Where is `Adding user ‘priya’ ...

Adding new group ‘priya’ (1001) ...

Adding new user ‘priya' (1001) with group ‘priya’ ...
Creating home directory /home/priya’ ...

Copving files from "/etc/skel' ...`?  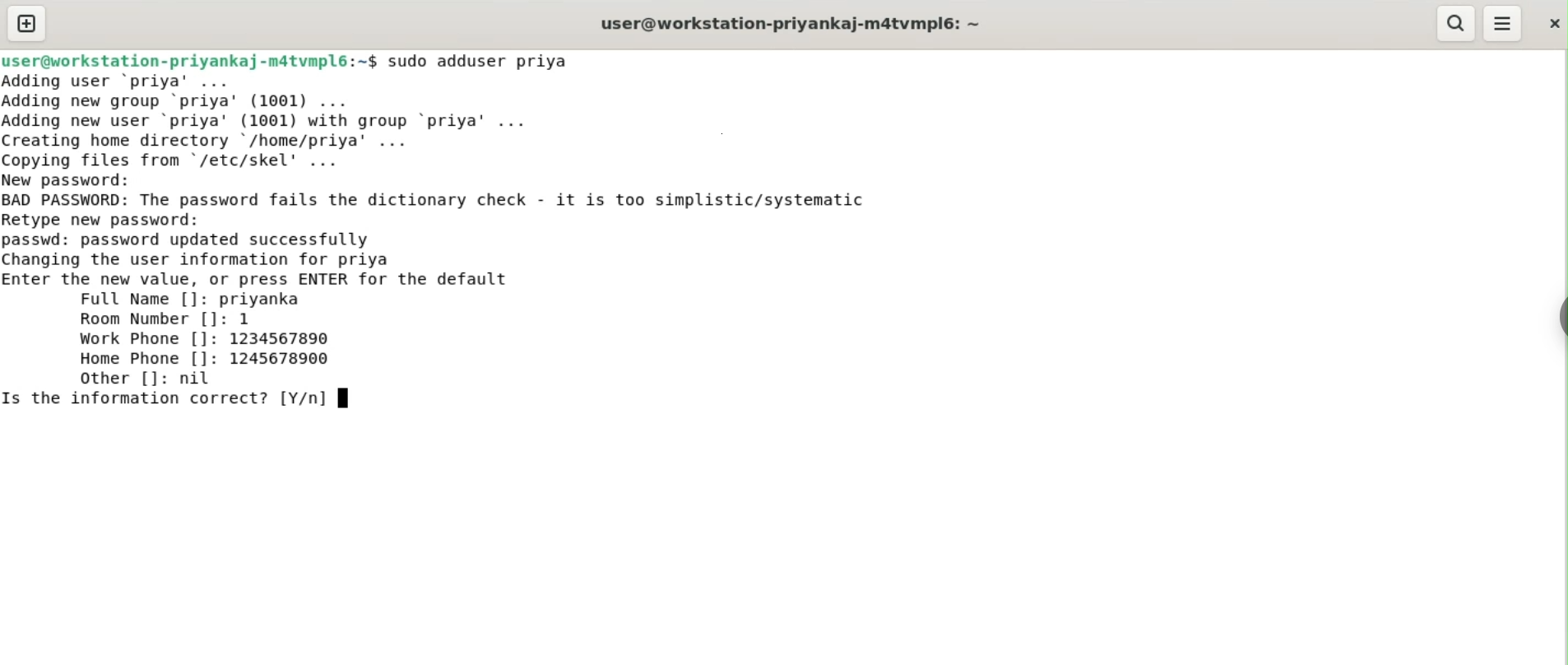
Adding user ‘priya’ ...

Adding new group ‘priya’ (1001) ...

Adding new user ‘priya' (1001) with group ‘priya’ ...
Creating home directory /home/priya’ ...

Copving files from "/etc/skel' ... is located at coordinates (318, 119).